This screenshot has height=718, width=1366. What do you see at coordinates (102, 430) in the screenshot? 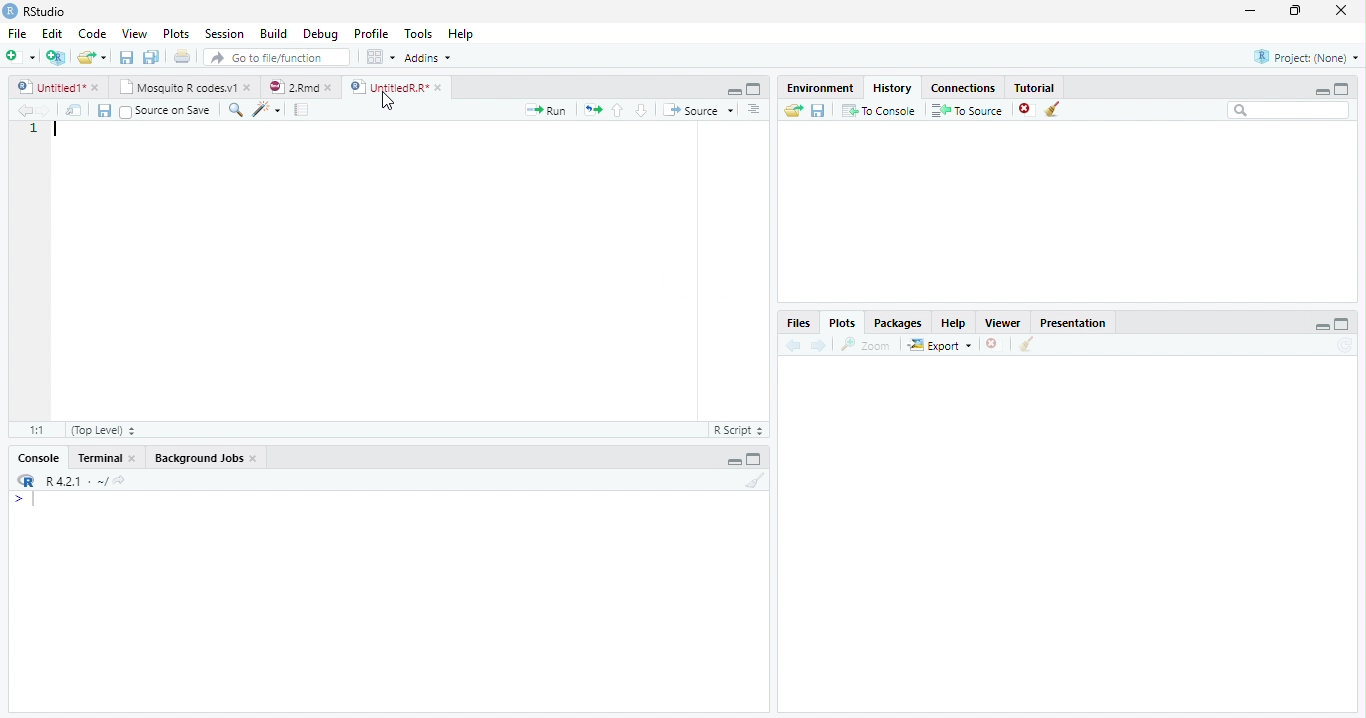
I see `(Top Level)` at bounding box center [102, 430].